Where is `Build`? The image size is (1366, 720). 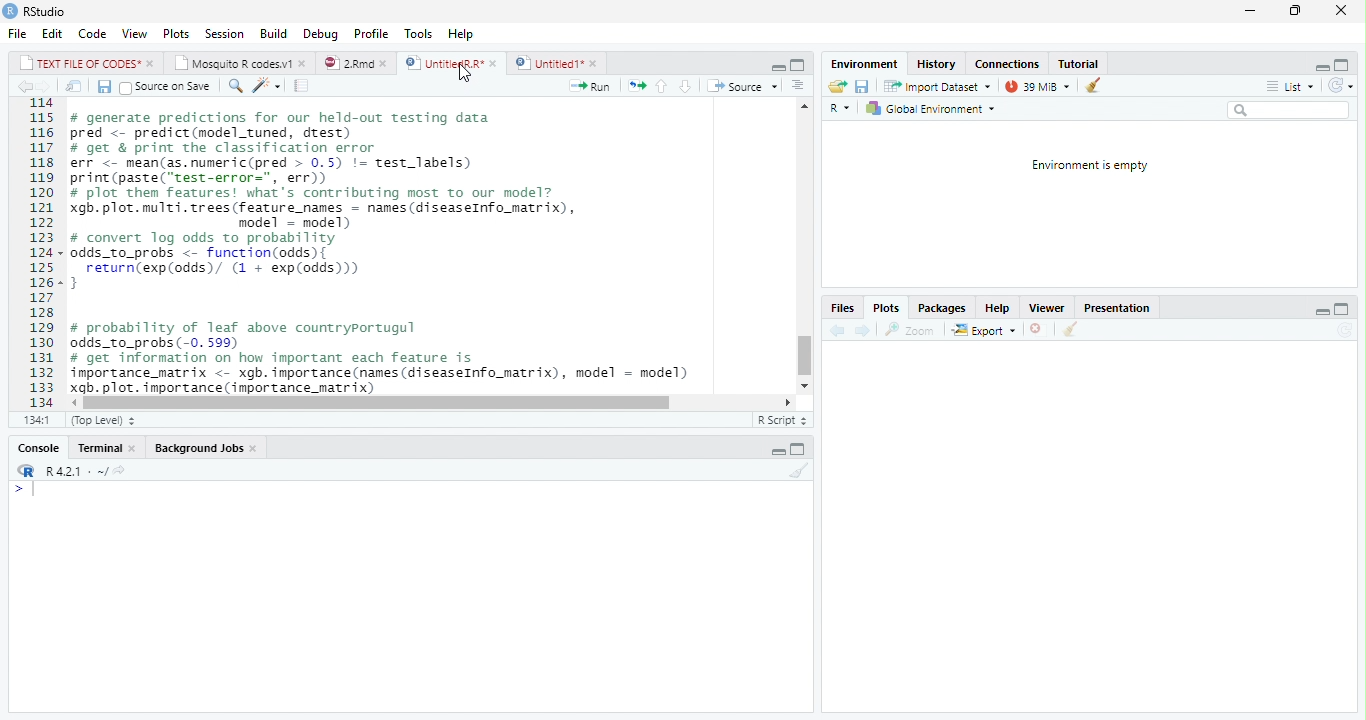 Build is located at coordinates (274, 34).